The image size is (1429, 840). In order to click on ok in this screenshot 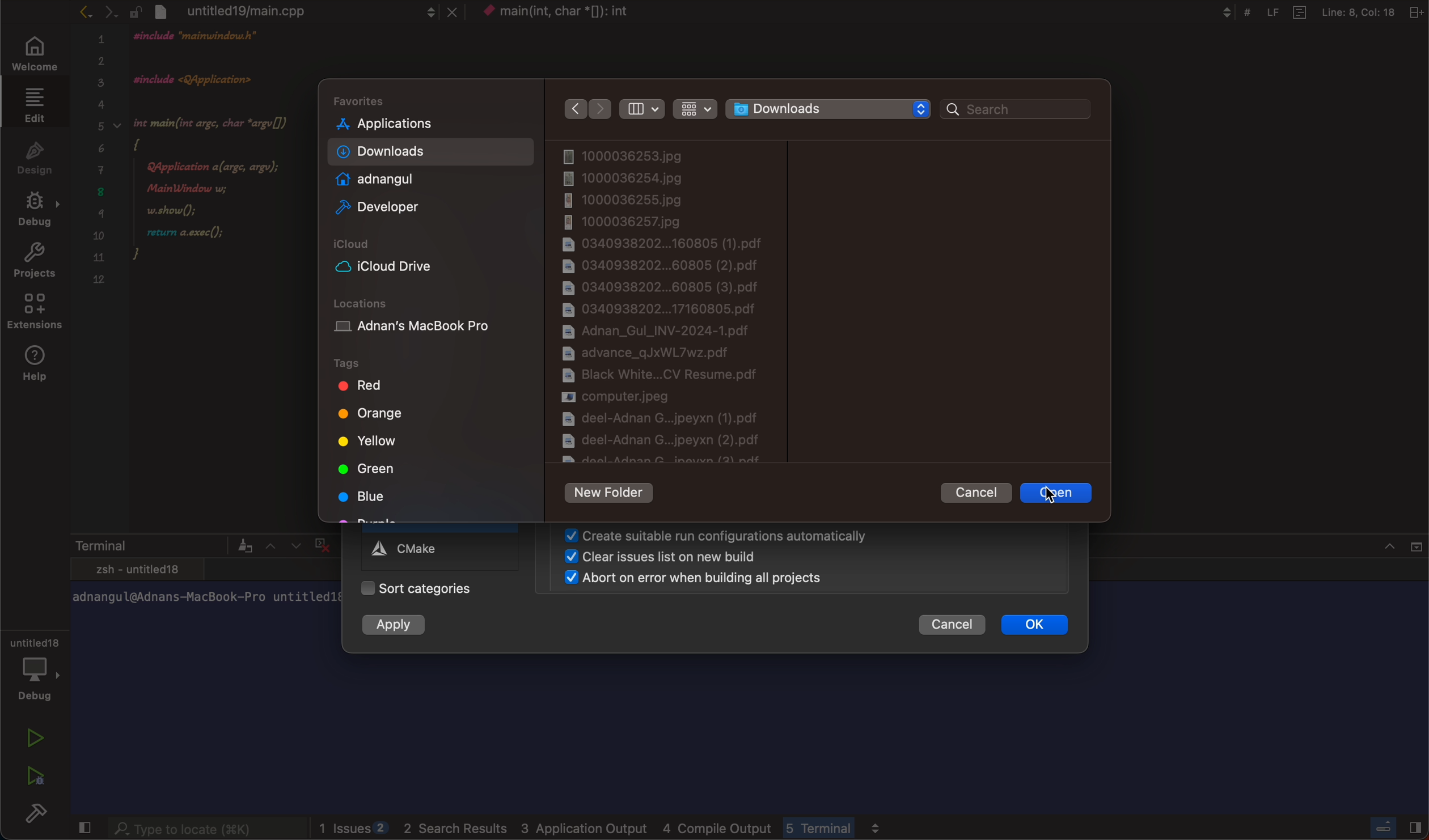, I will do `click(1039, 623)`.